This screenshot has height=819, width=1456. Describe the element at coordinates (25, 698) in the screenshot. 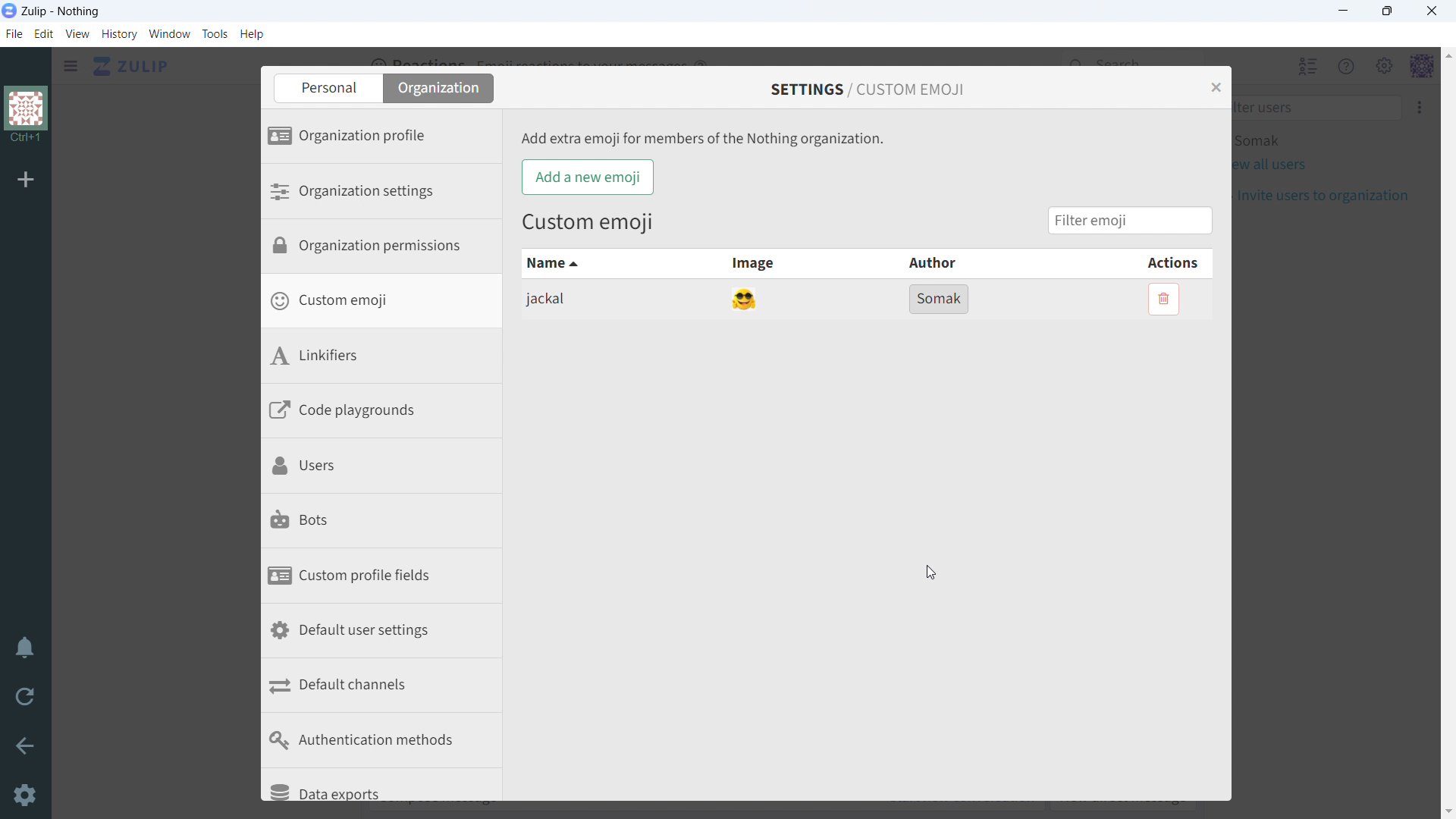

I see `reload` at that location.